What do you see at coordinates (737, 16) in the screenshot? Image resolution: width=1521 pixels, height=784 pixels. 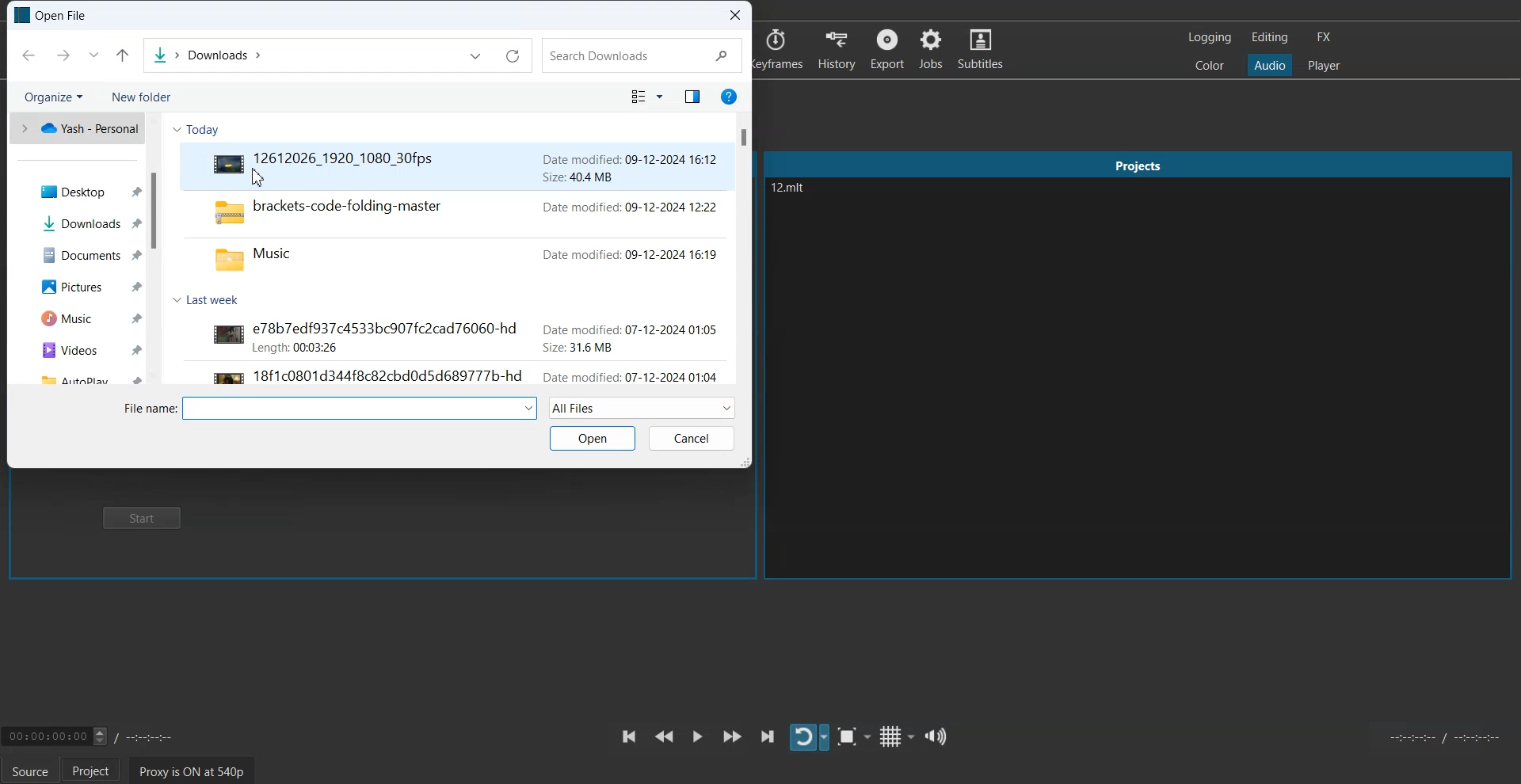 I see `Close` at bounding box center [737, 16].